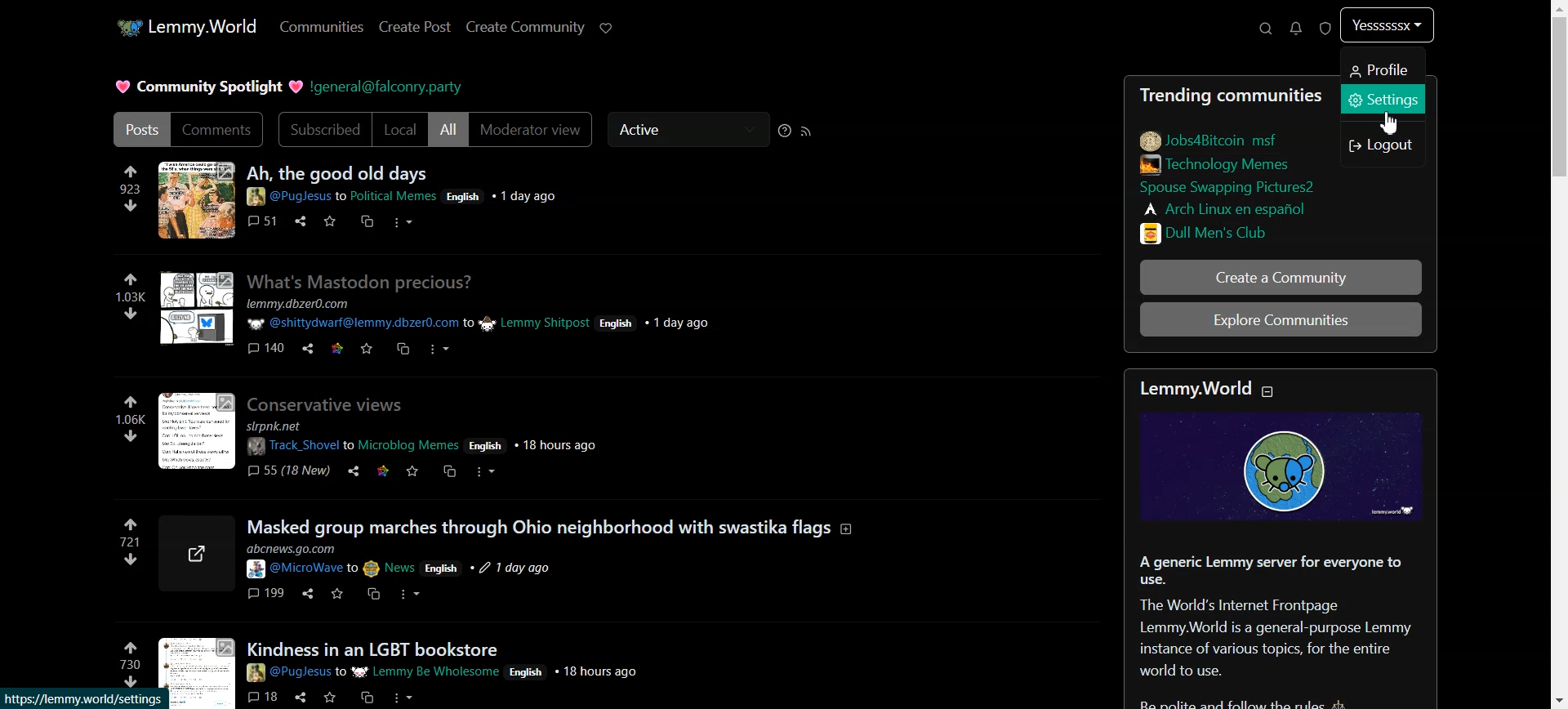 The width and height of the screenshot is (1568, 709). I want to click on image, so click(1285, 472).